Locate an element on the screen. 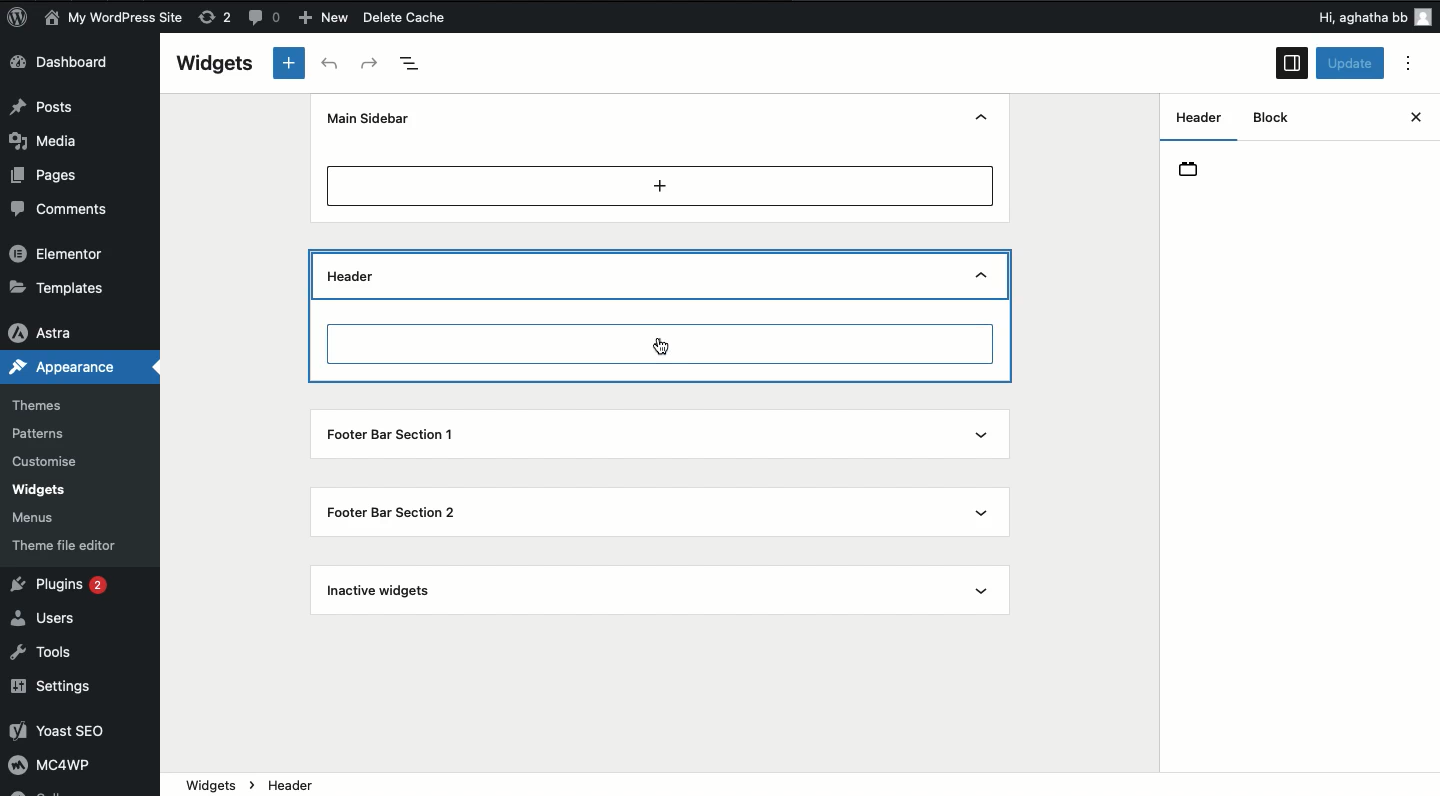  Widgets is located at coordinates (40, 490).